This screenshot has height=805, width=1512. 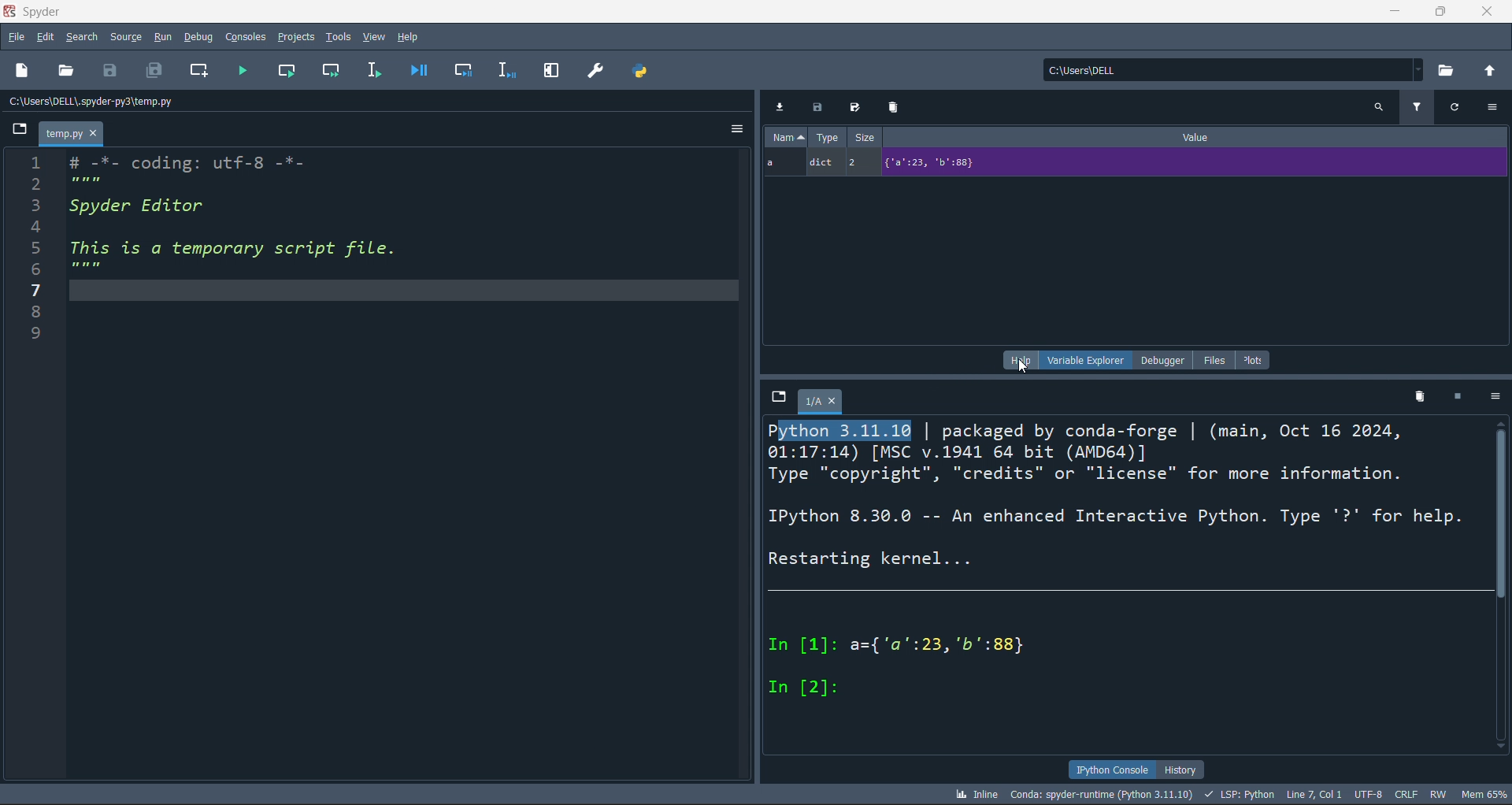 What do you see at coordinates (732, 130) in the screenshot?
I see `more options` at bounding box center [732, 130].